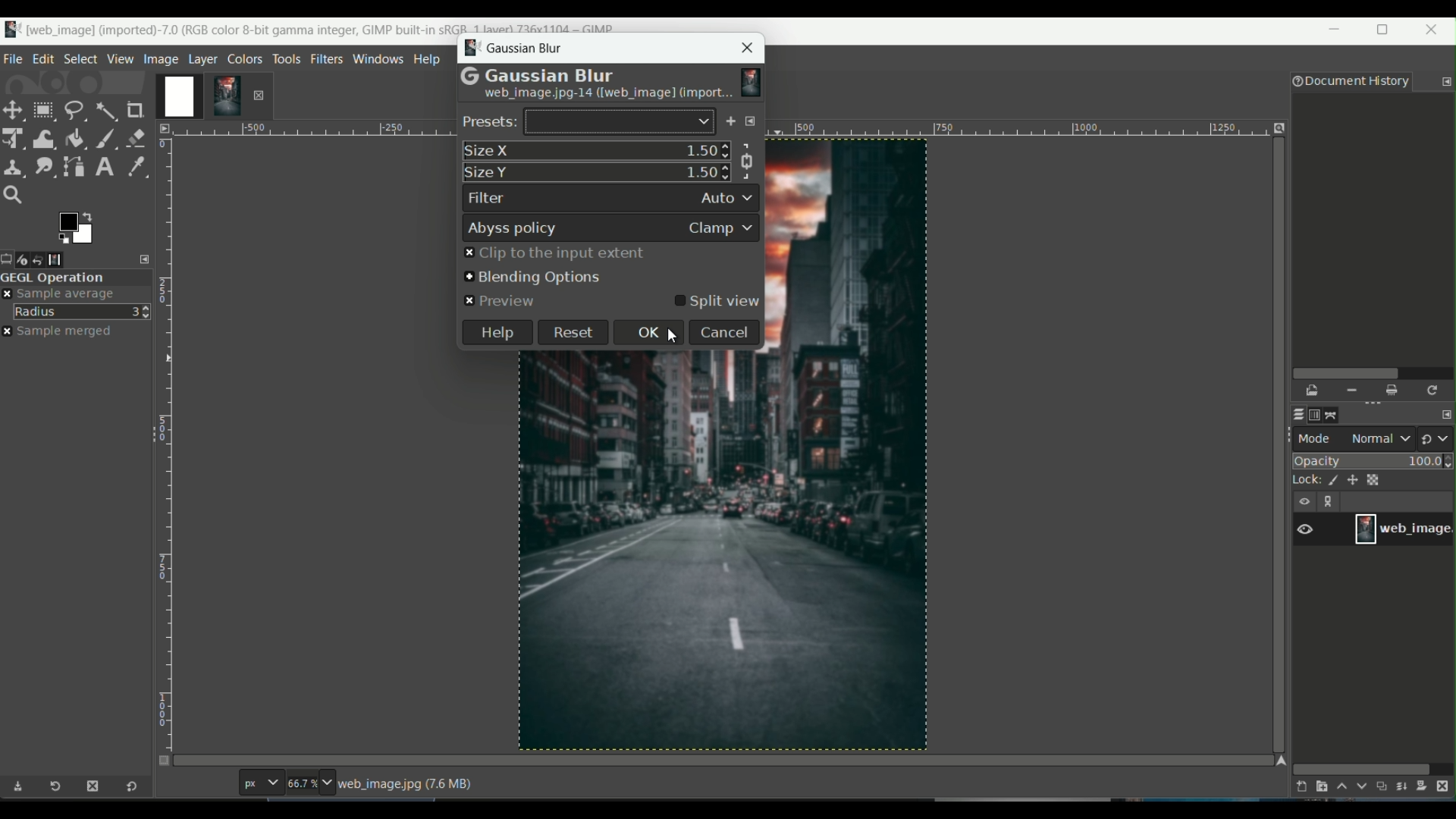 The image size is (1456, 819). What do you see at coordinates (1301, 482) in the screenshot?
I see `lock` at bounding box center [1301, 482].